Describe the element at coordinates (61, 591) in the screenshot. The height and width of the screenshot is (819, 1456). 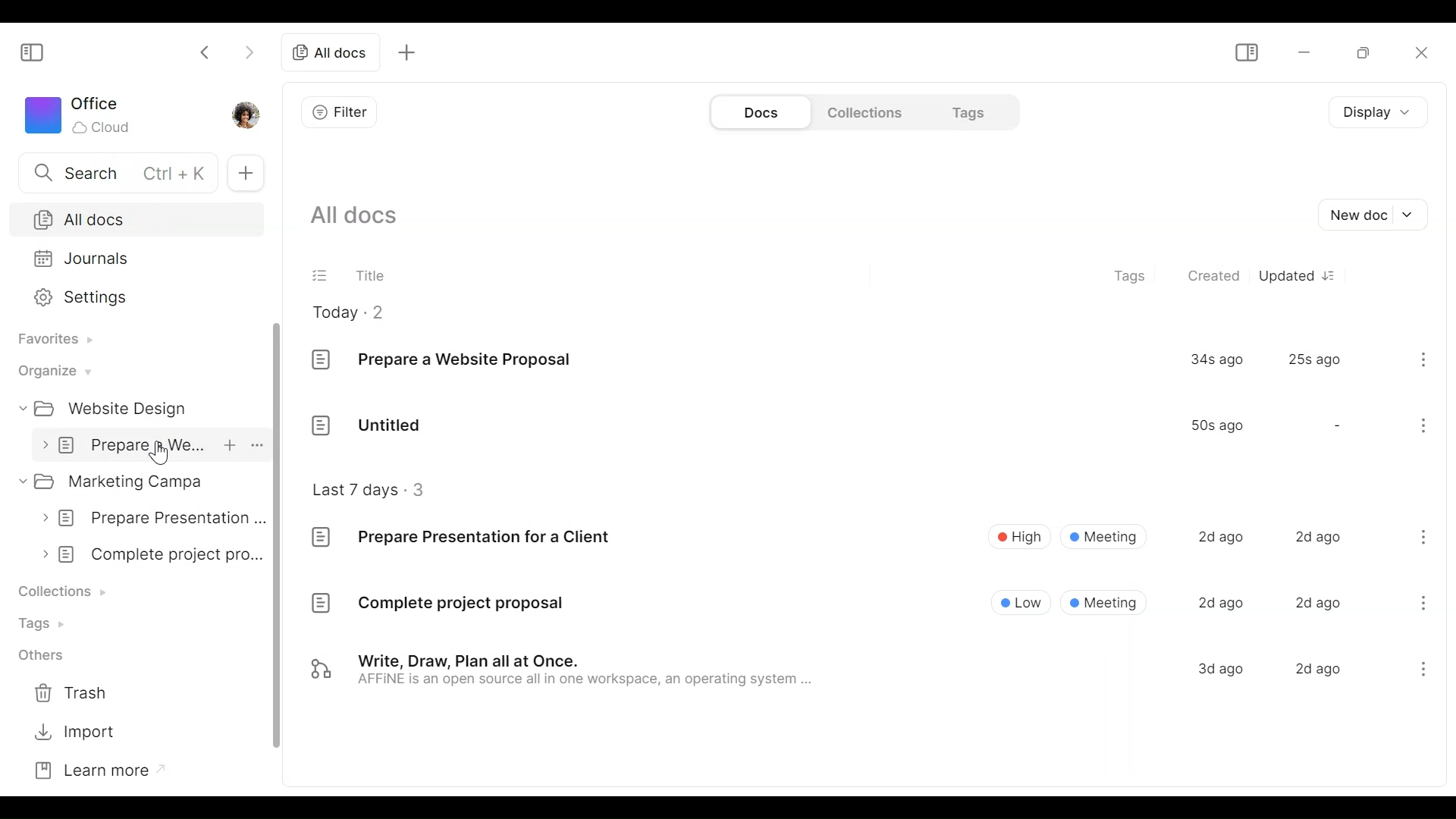
I see `Collections` at that location.